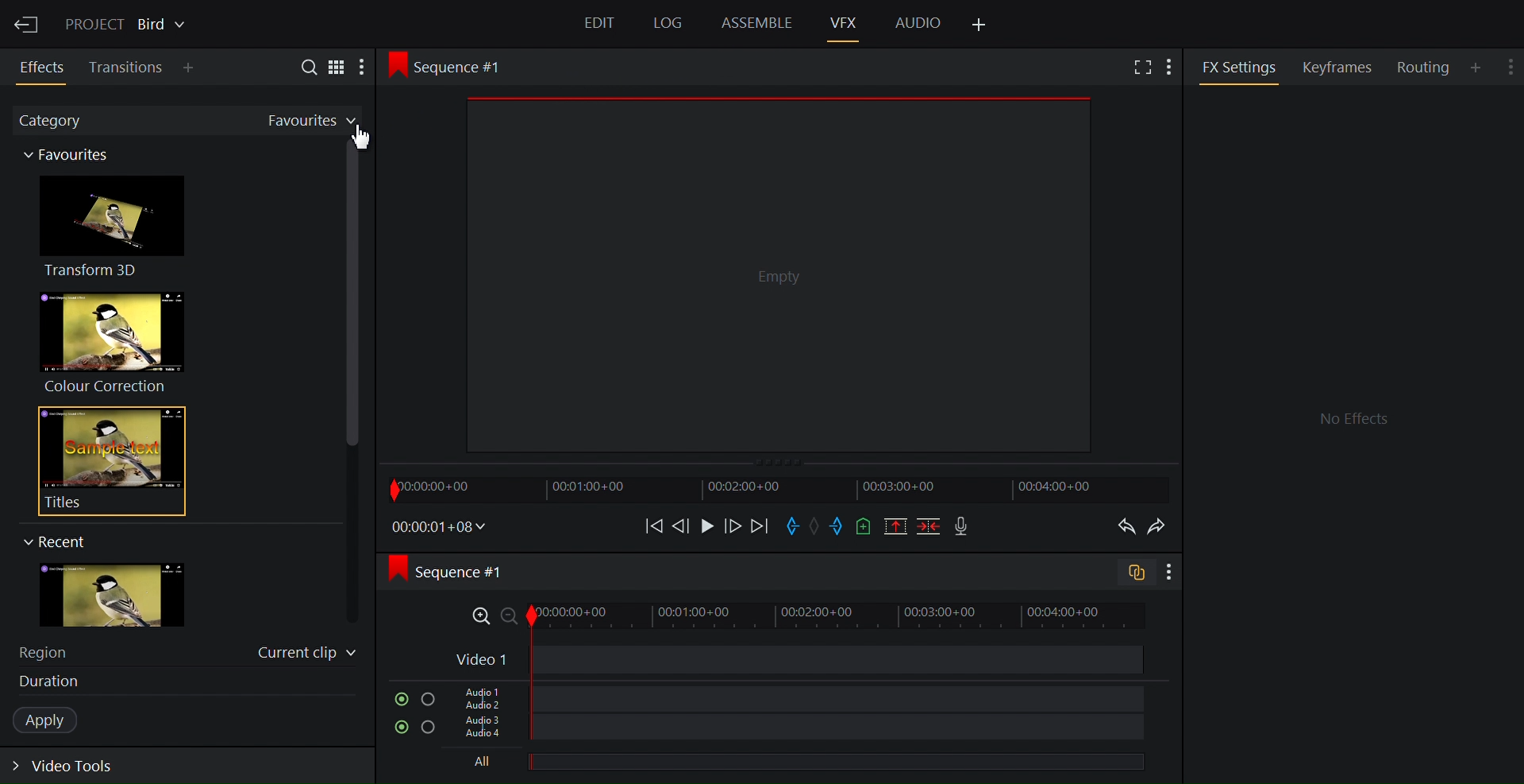 The height and width of the screenshot is (784, 1524). Describe the element at coordinates (759, 527) in the screenshot. I see `Move forward` at that location.